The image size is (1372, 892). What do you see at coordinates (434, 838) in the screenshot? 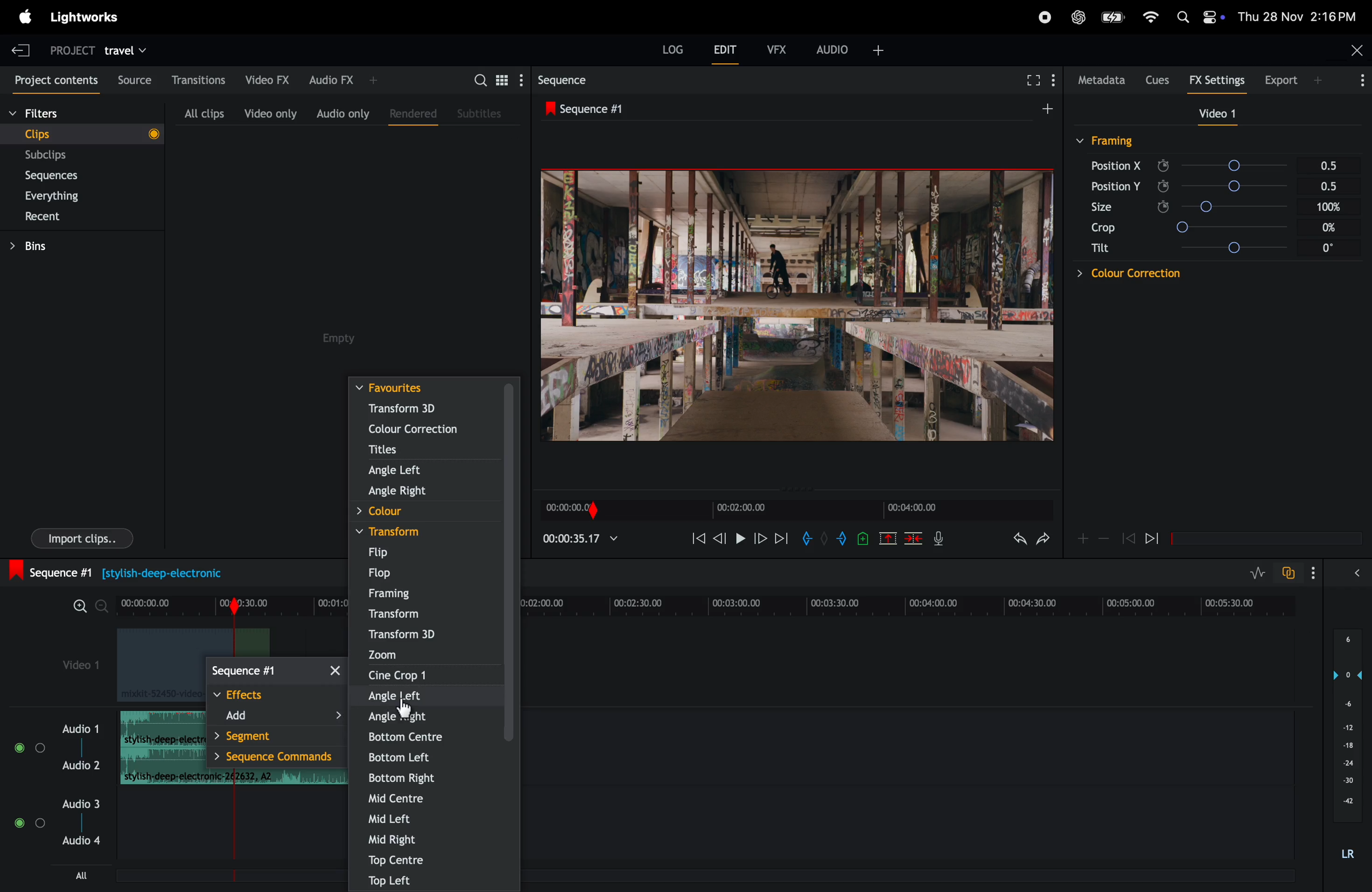
I see `mid right` at bounding box center [434, 838].